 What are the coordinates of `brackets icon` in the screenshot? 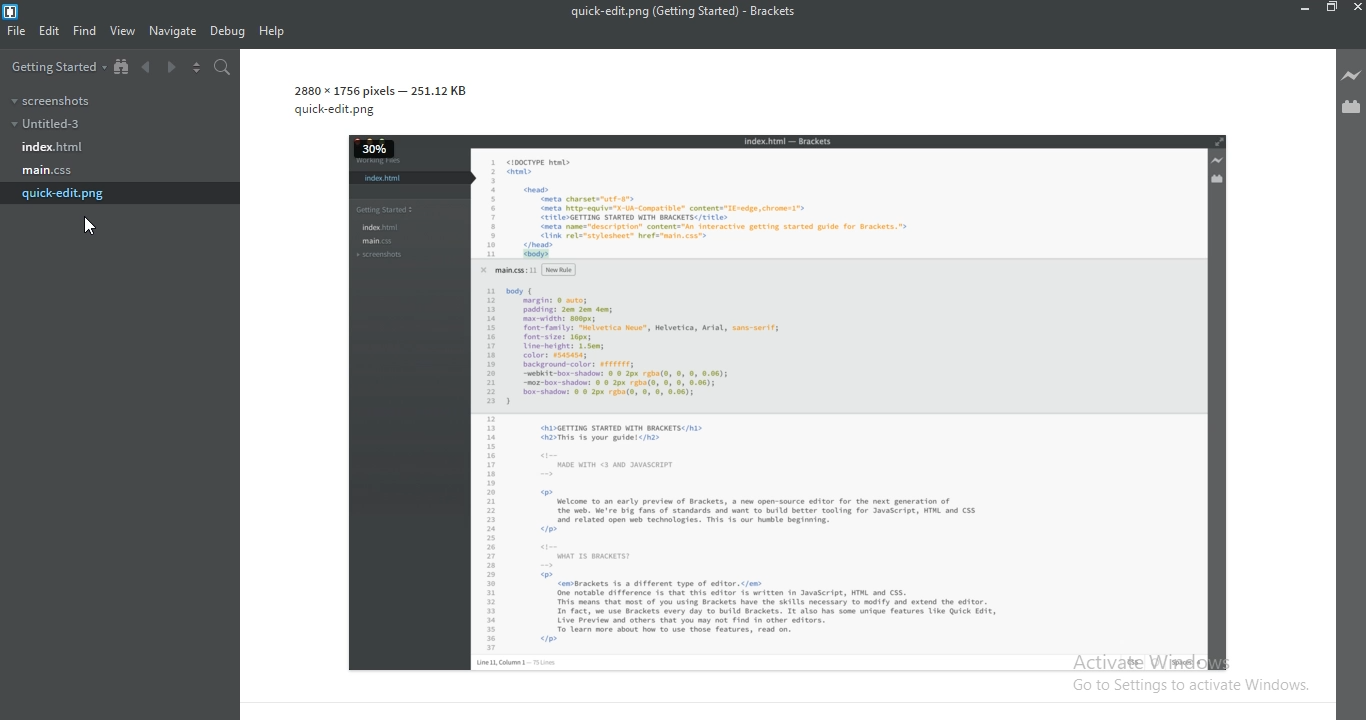 It's located at (13, 10).